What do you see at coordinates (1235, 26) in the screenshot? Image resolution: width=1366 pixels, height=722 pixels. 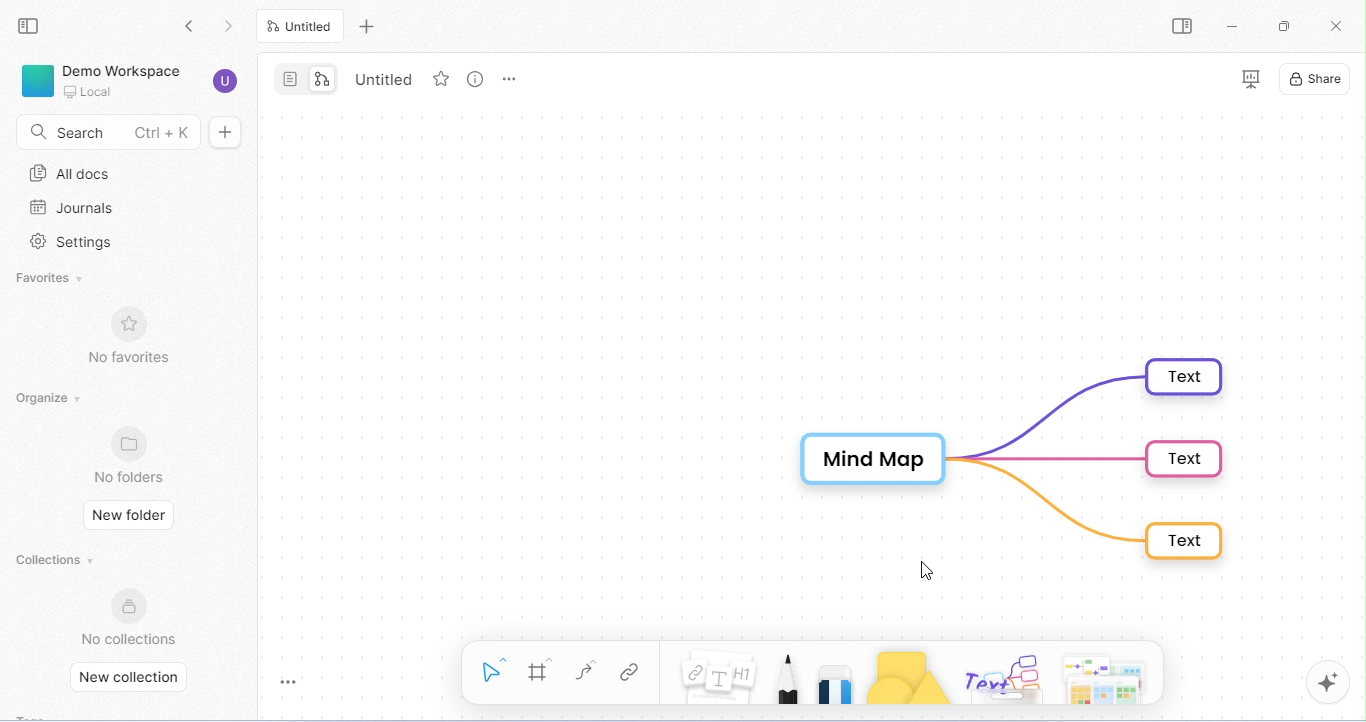 I see `minimize` at bounding box center [1235, 26].